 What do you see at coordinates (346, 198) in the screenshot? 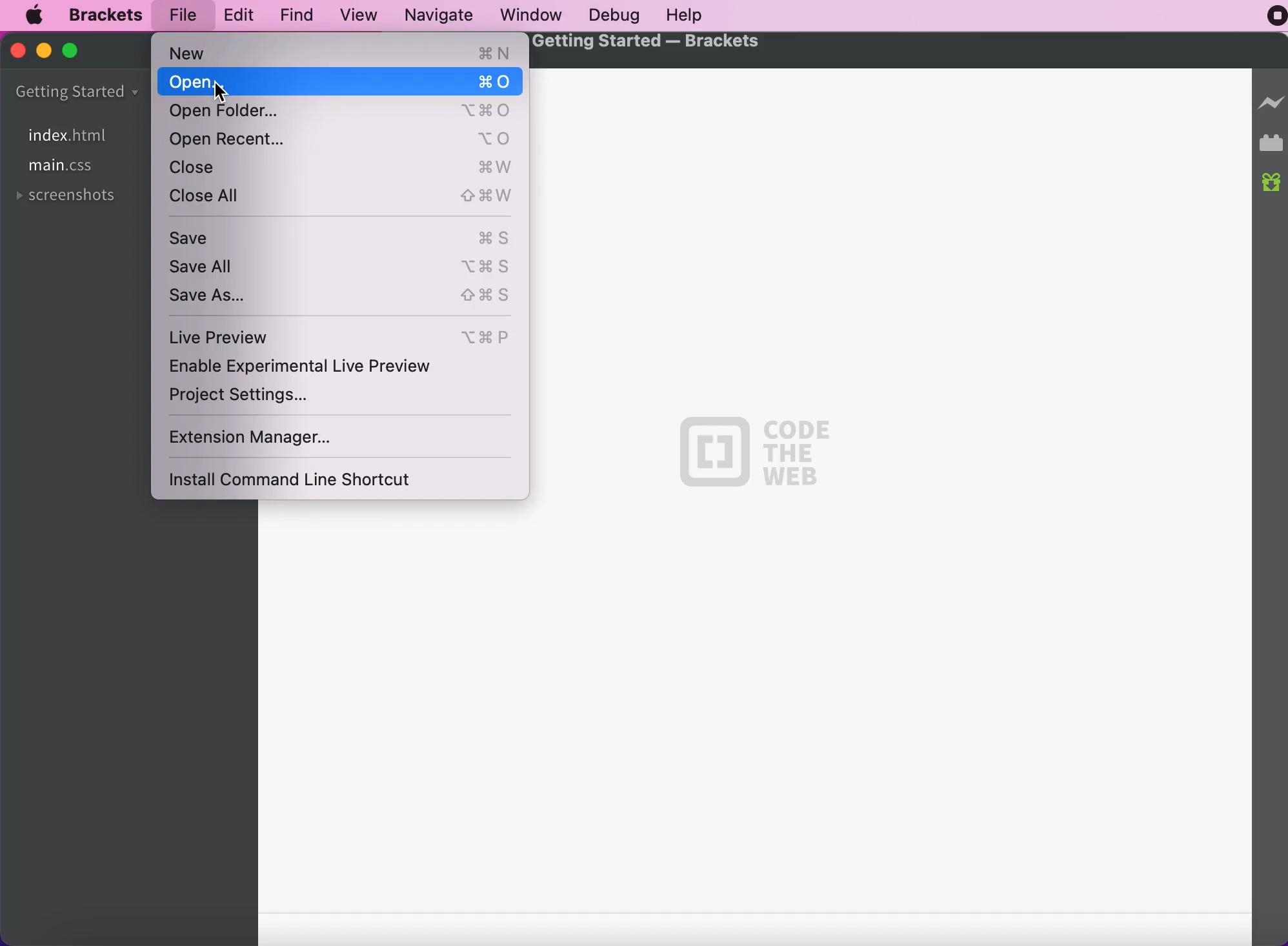
I see `close all` at bounding box center [346, 198].